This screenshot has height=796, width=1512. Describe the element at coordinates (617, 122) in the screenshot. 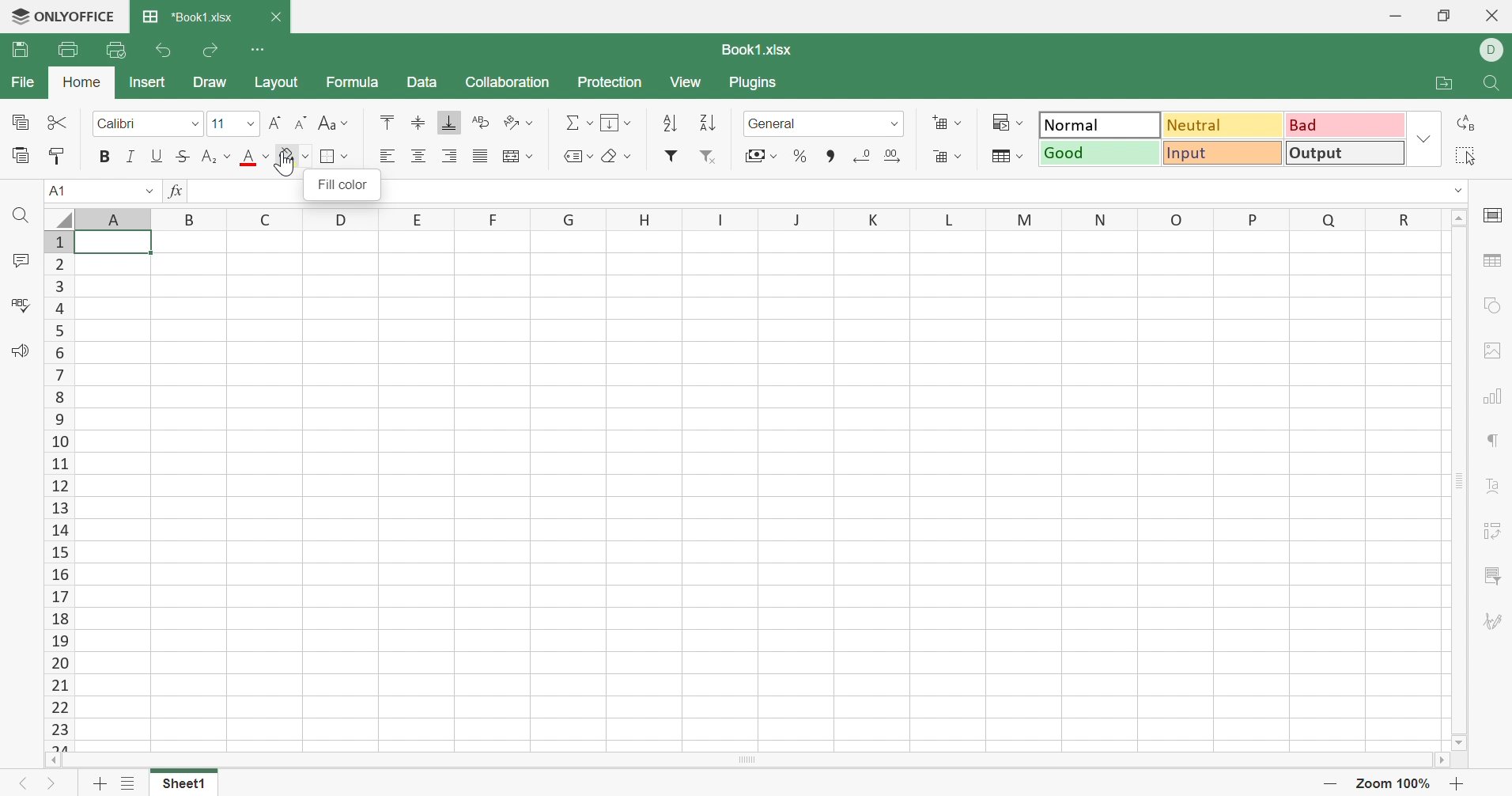

I see `Fill` at that location.